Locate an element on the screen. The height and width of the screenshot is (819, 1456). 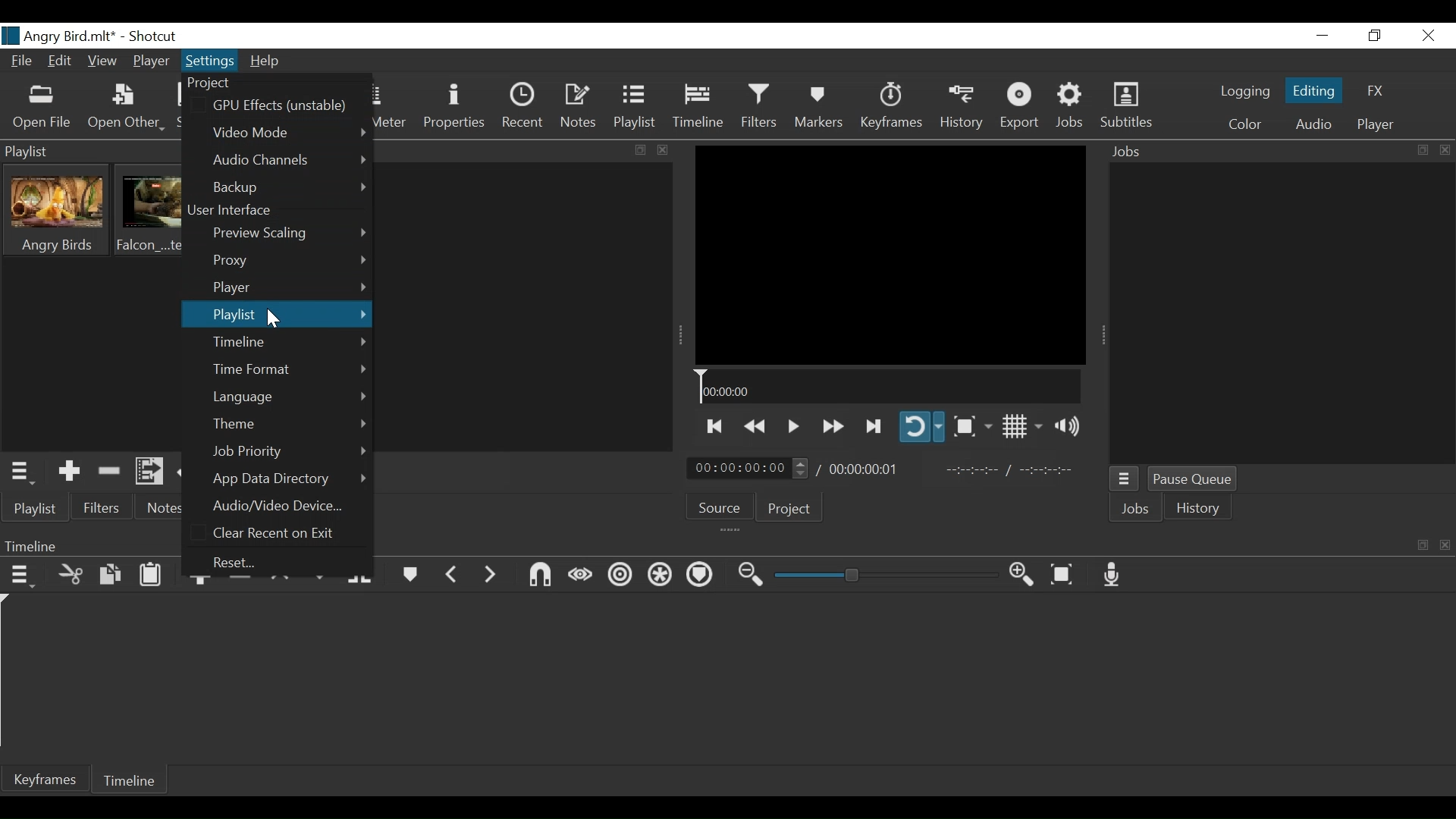
Audio/Video Device is located at coordinates (284, 505).